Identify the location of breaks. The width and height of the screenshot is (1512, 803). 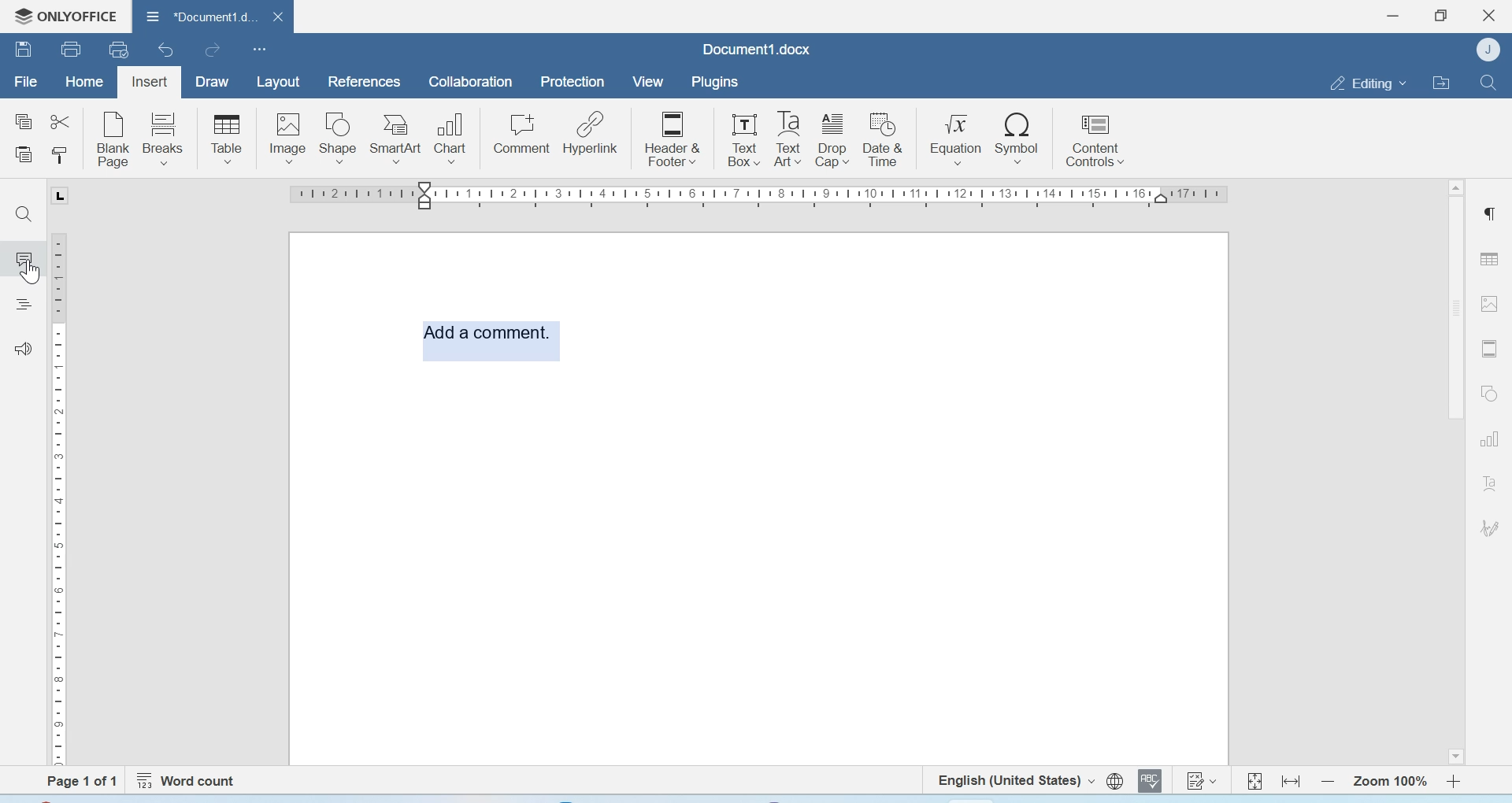
(164, 137).